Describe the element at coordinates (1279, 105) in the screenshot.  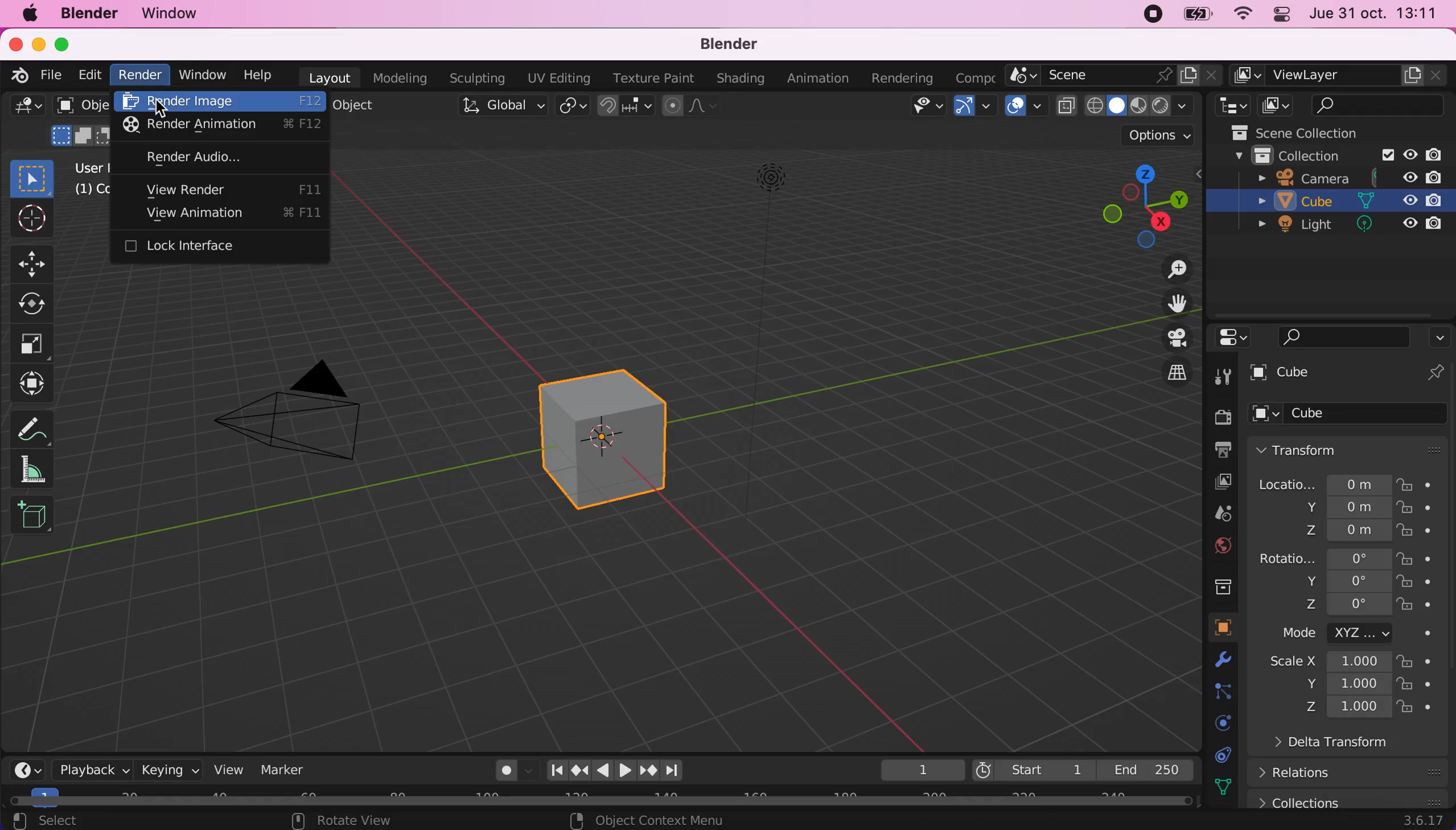
I see `display mode` at that location.